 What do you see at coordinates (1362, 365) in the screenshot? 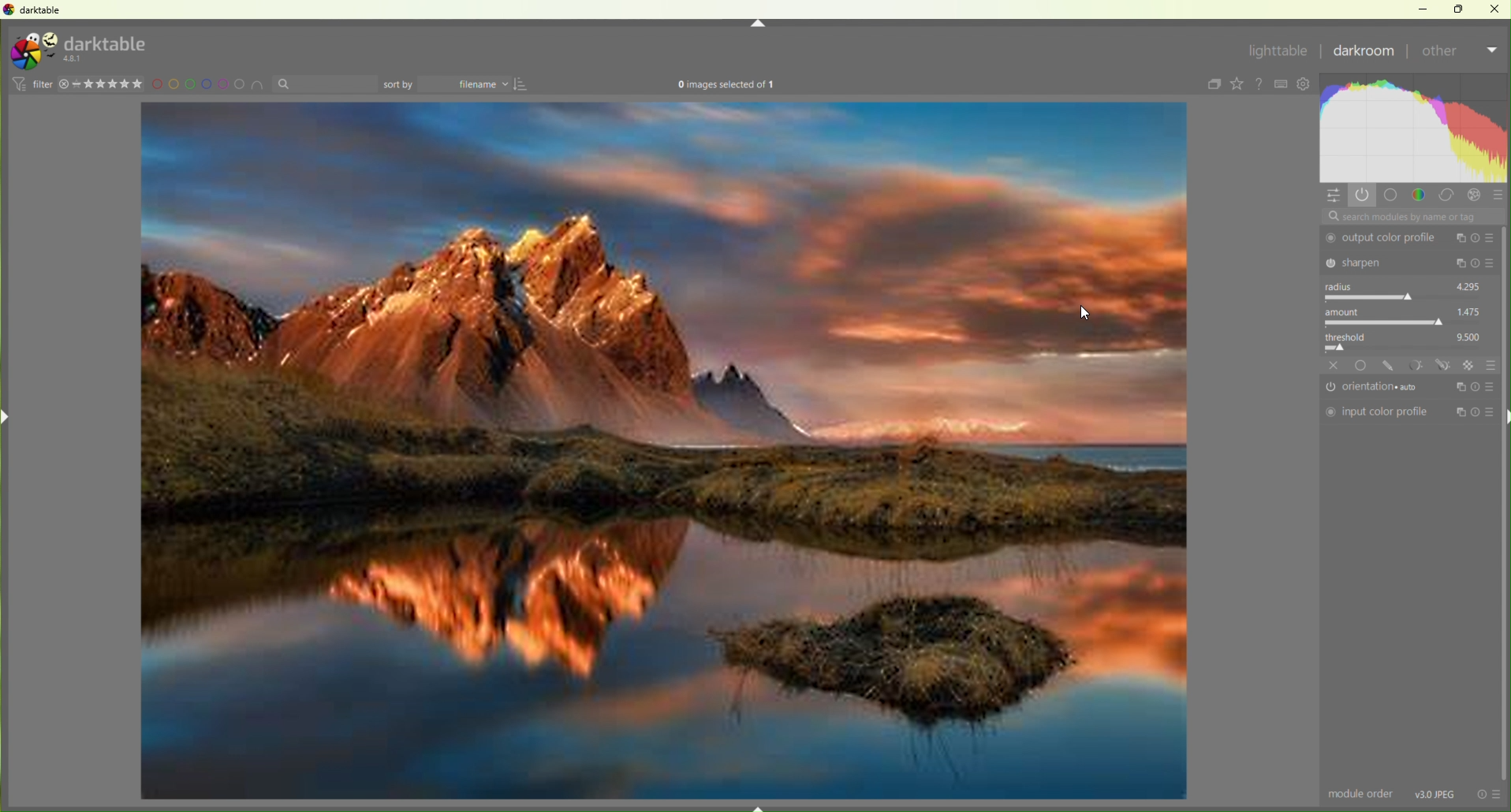
I see `base` at bounding box center [1362, 365].